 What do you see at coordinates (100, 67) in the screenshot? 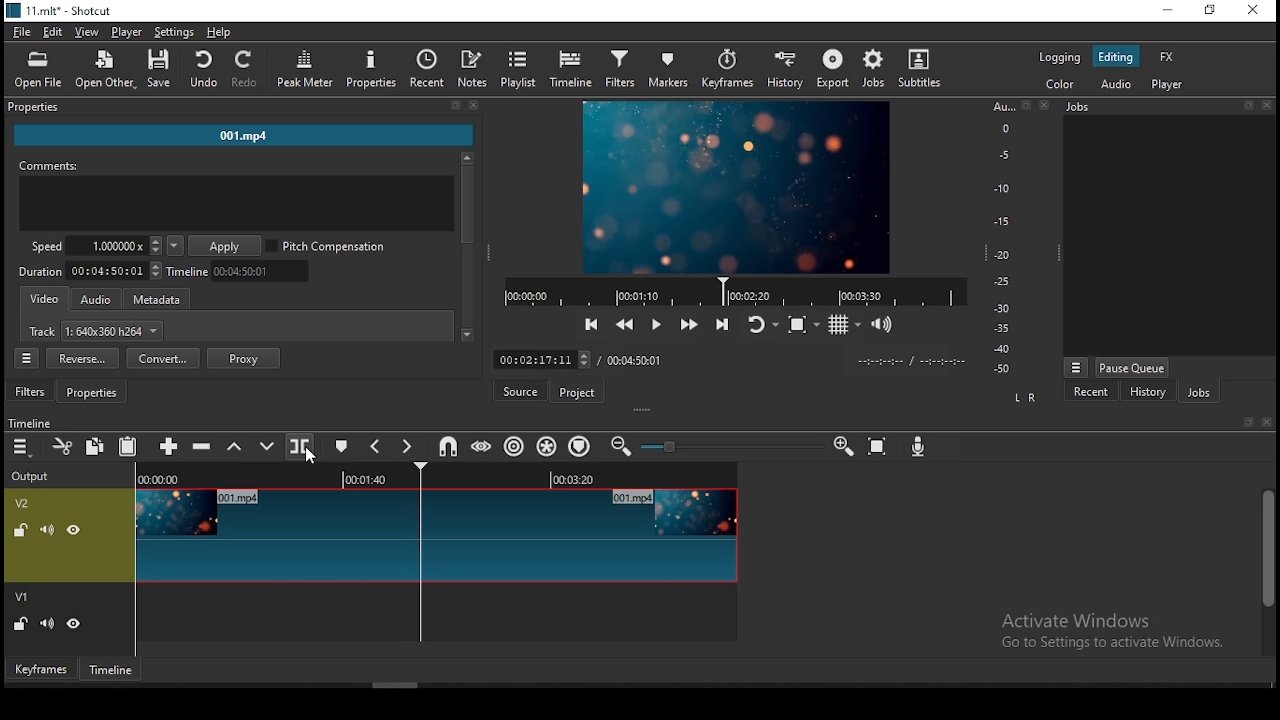
I see `open other` at bounding box center [100, 67].